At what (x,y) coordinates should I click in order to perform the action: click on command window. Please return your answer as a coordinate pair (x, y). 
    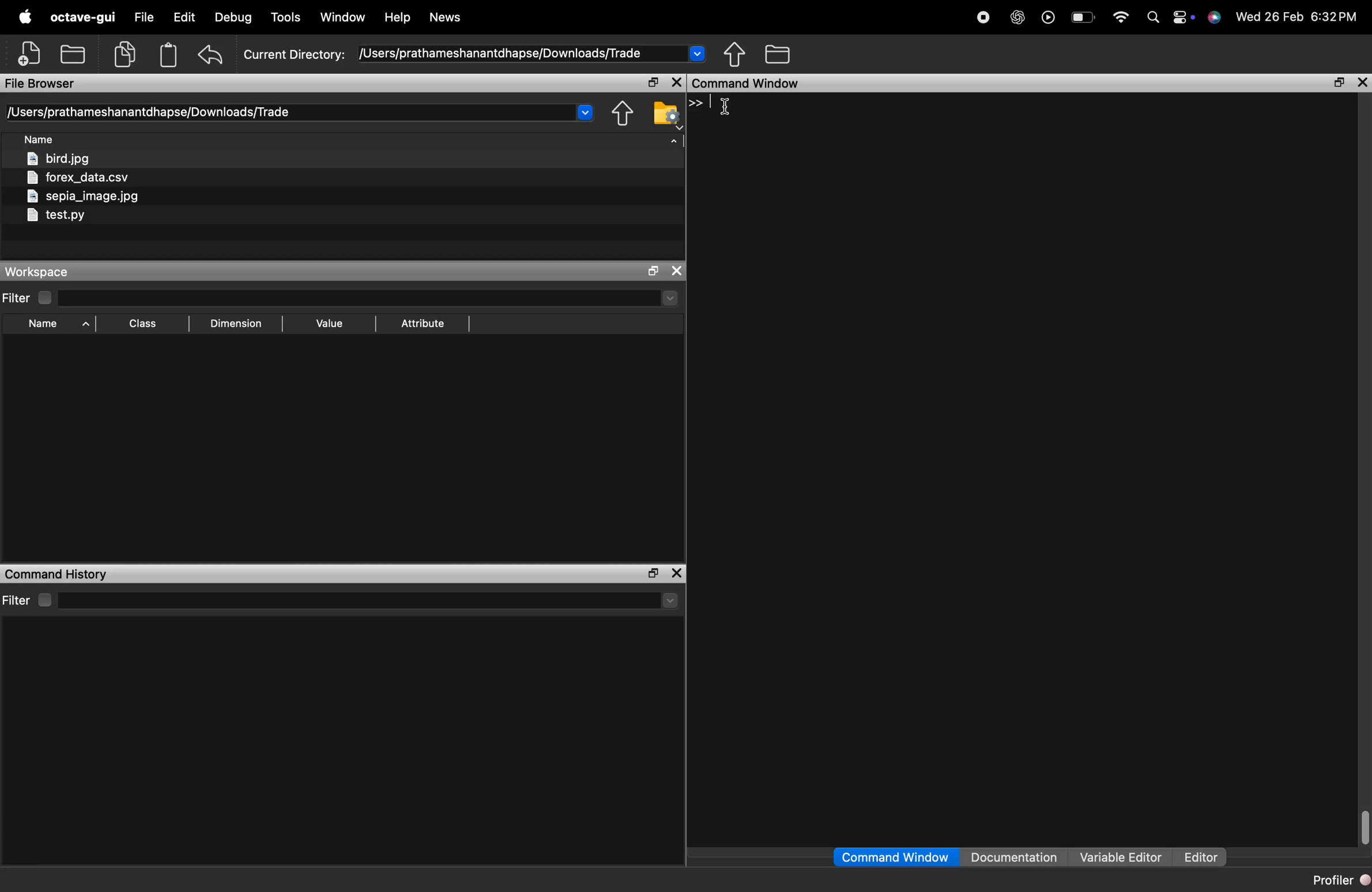
    Looking at the image, I should click on (753, 84).